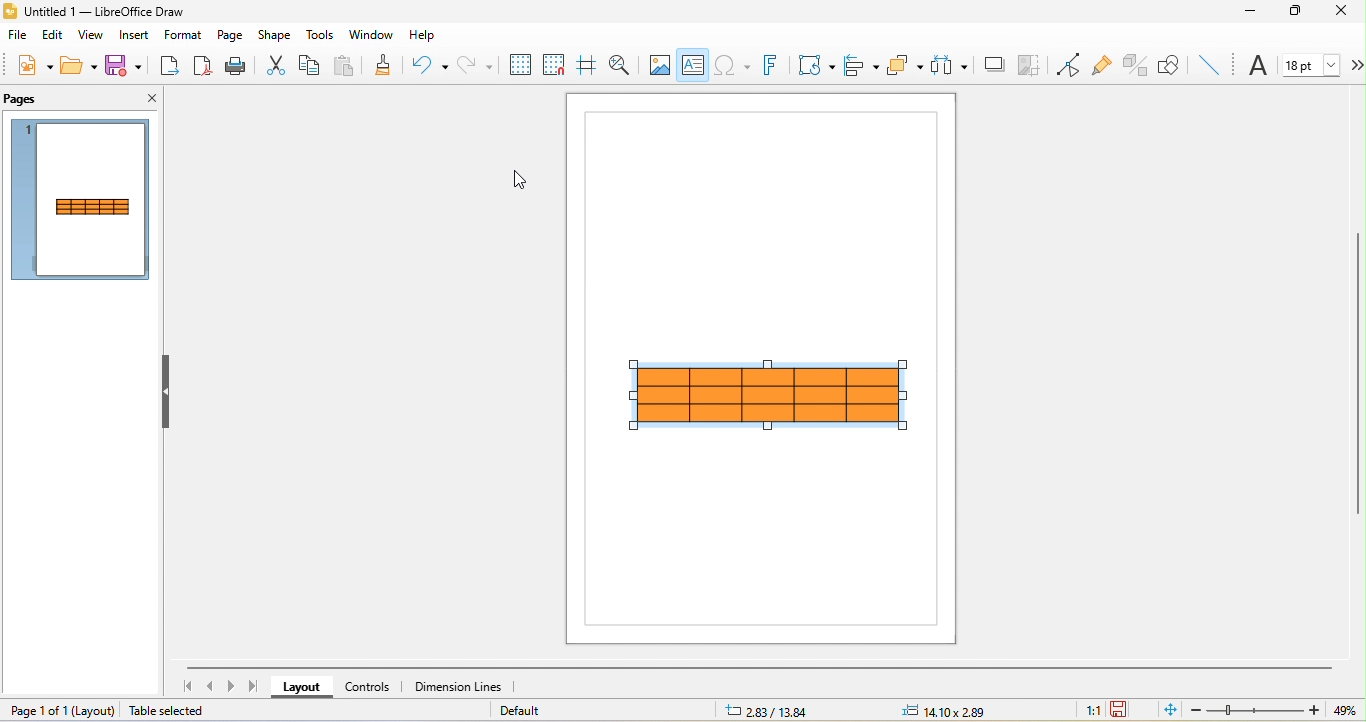  What do you see at coordinates (203, 64) in the screenshot?
I see `export directly as pdf` at bounding box center [203, 64].